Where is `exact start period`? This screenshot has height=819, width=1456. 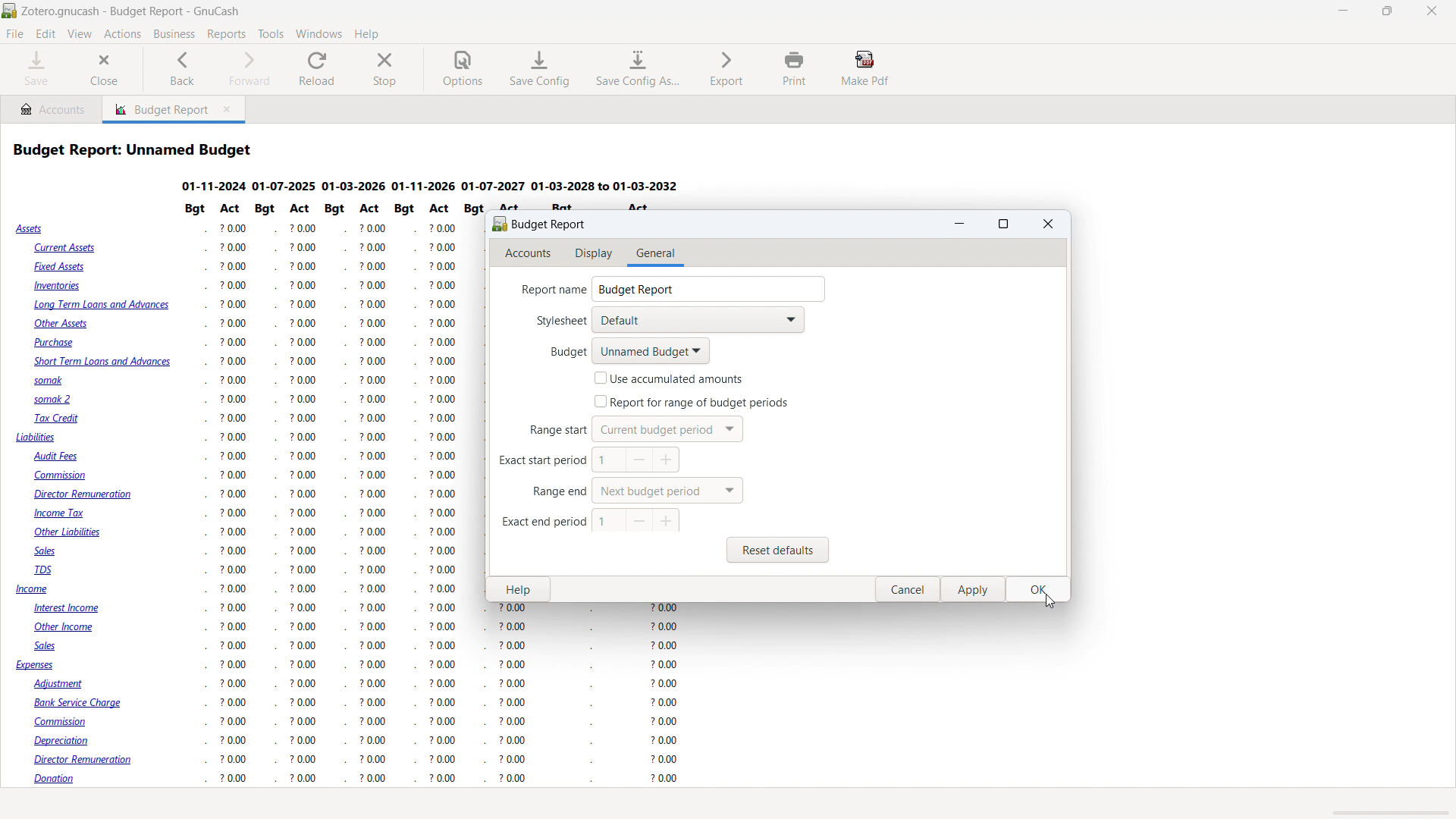
exact start period is located at coordinates (609, 460).